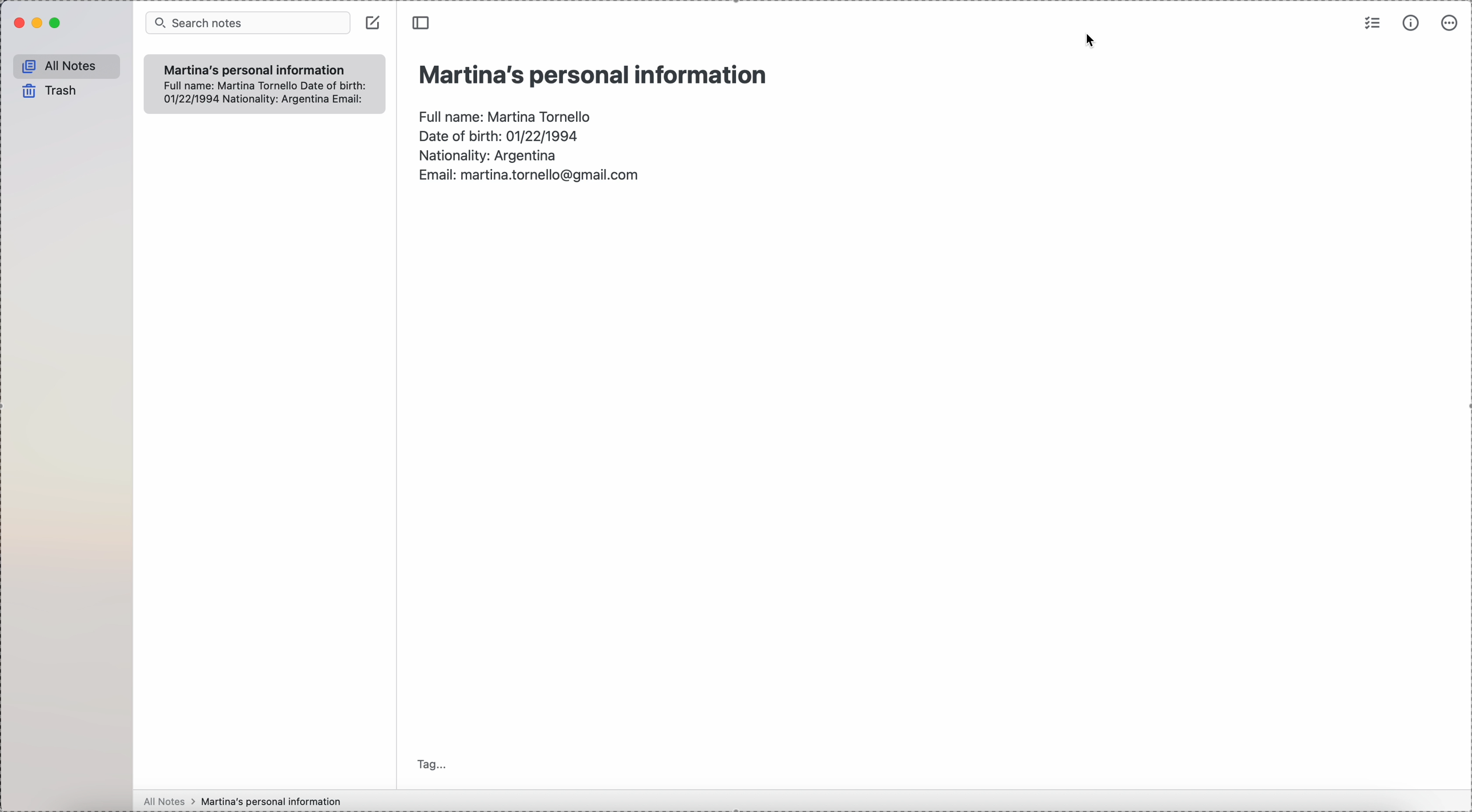  What do you see at coordinates (499, 134) in the screenshot?
I see `date of birth` at bounding box center [499, 134].